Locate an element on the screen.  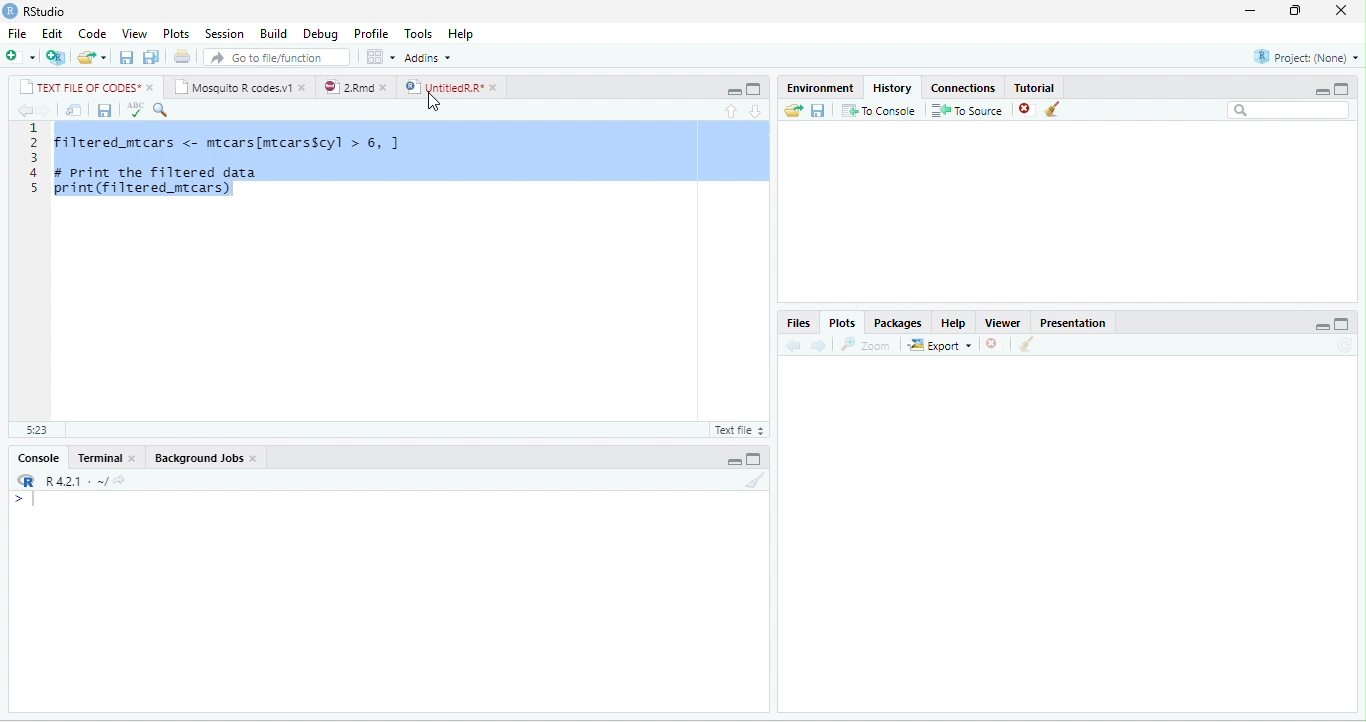
close file is located at coordinates (994, 344).